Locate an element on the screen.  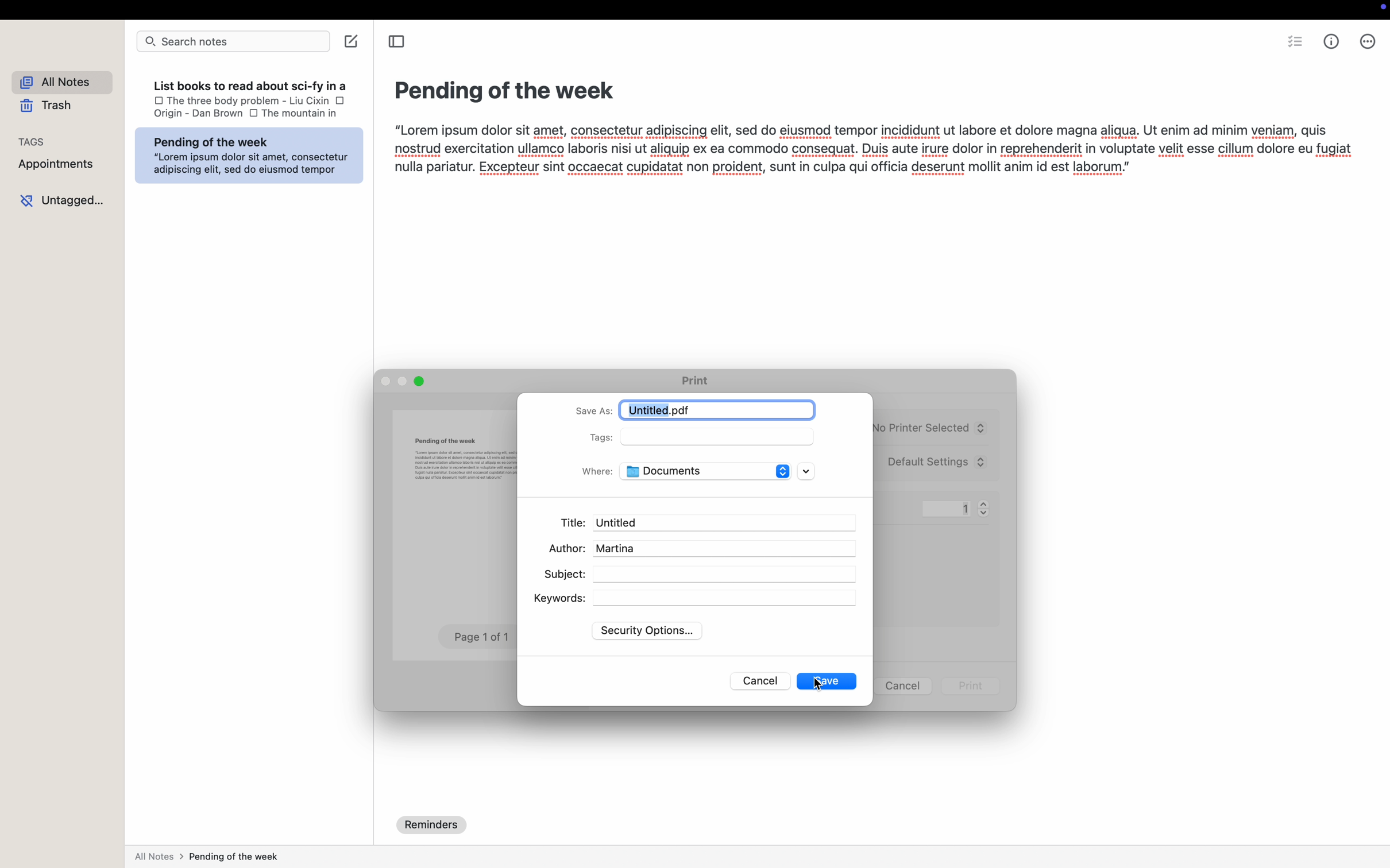
print is located at coordinates (694, 381).